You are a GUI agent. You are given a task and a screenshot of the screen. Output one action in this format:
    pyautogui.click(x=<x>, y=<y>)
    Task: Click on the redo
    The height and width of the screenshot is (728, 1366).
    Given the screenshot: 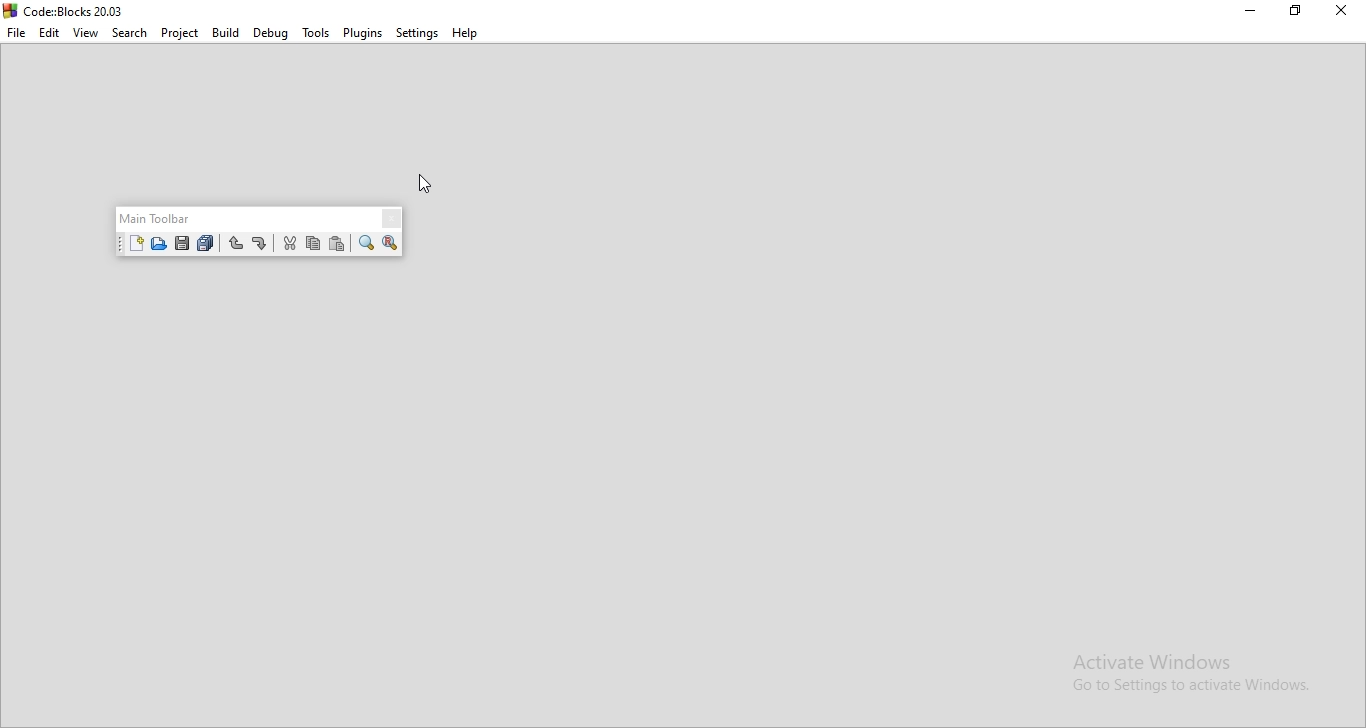 What is the action you would take?
    pyautogui.click(x=259, y=245)
    